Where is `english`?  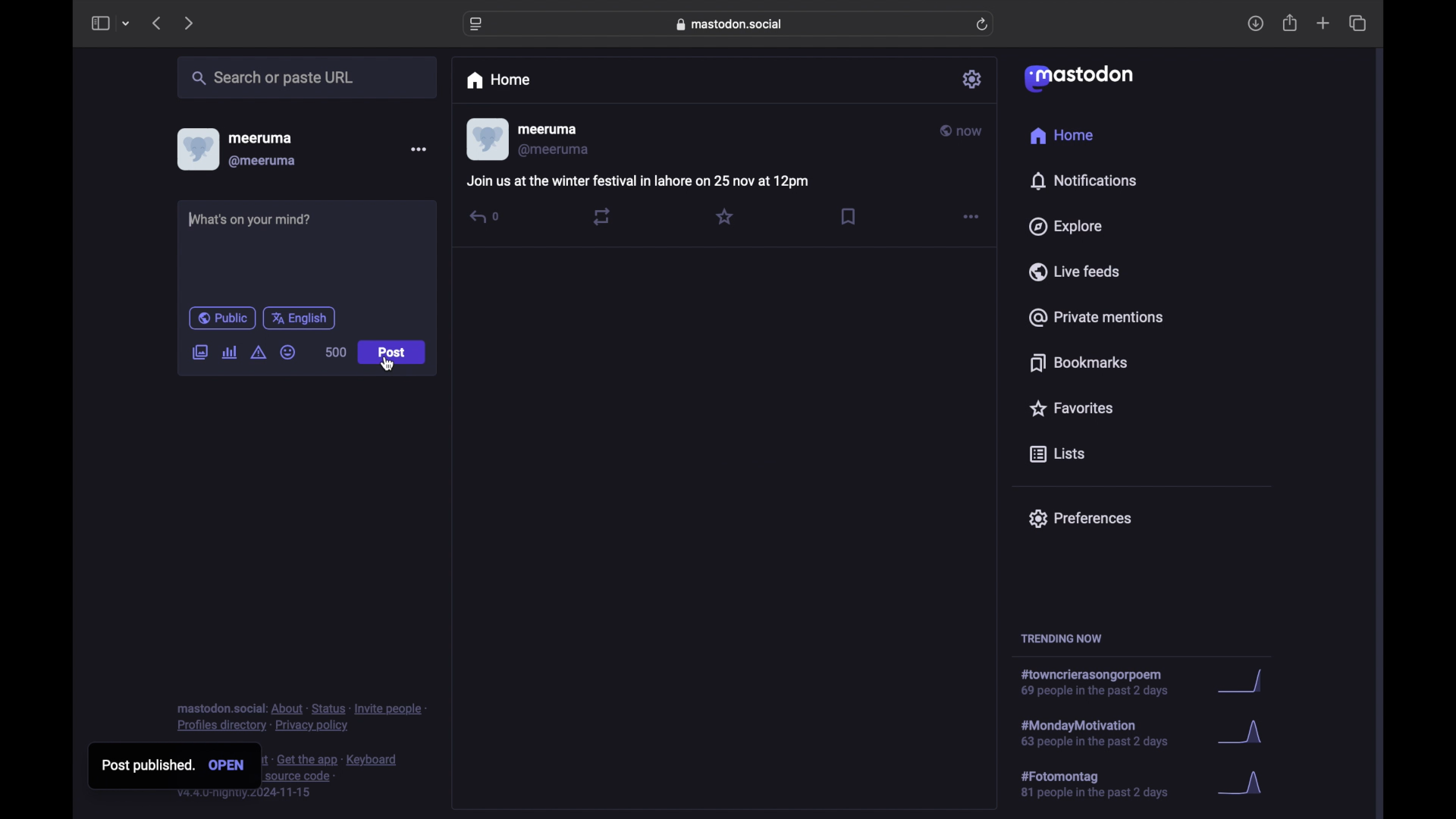
english is located at coordinates (300, 318).